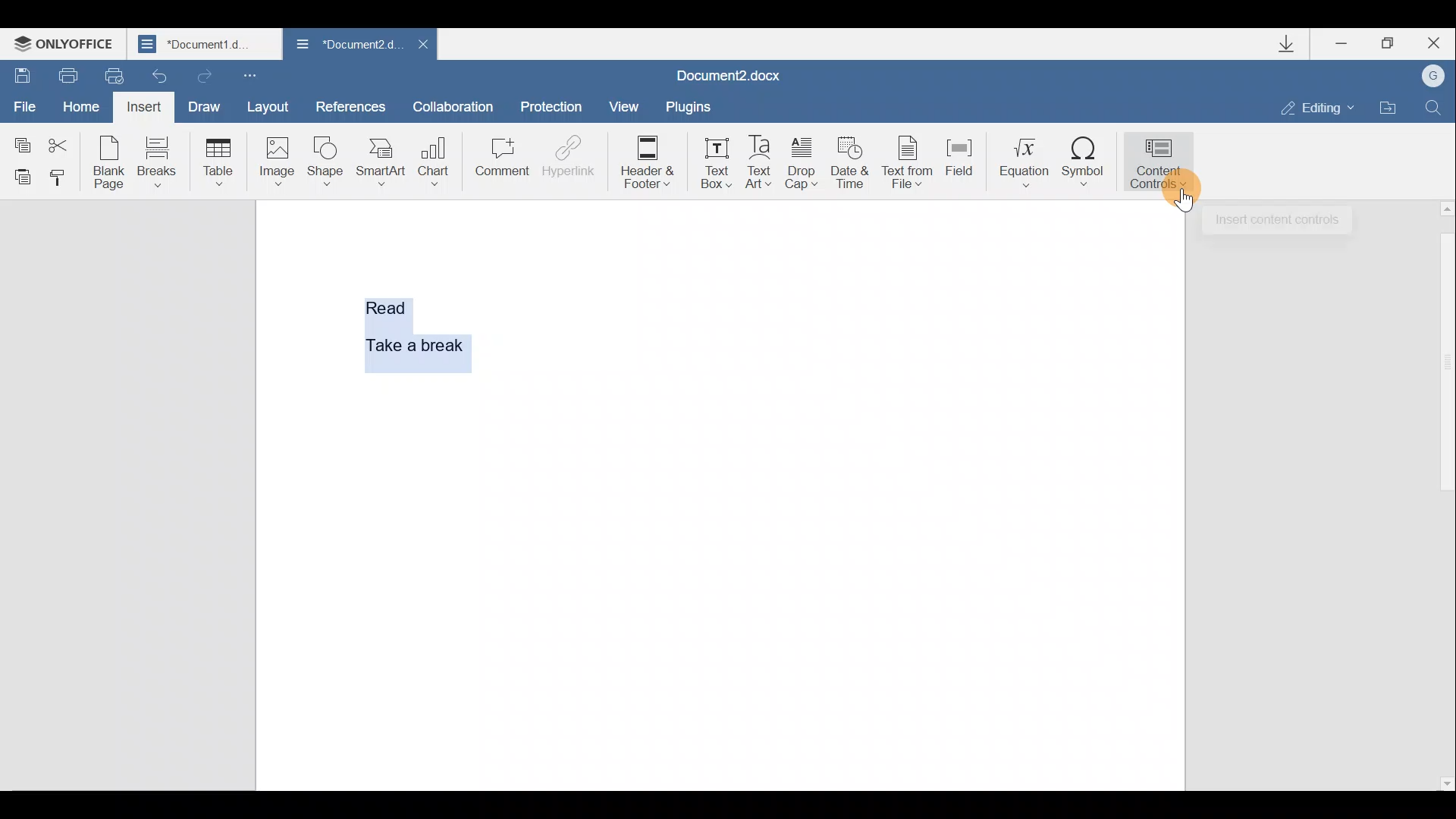  I want to click on Paste, so click(20, 176).